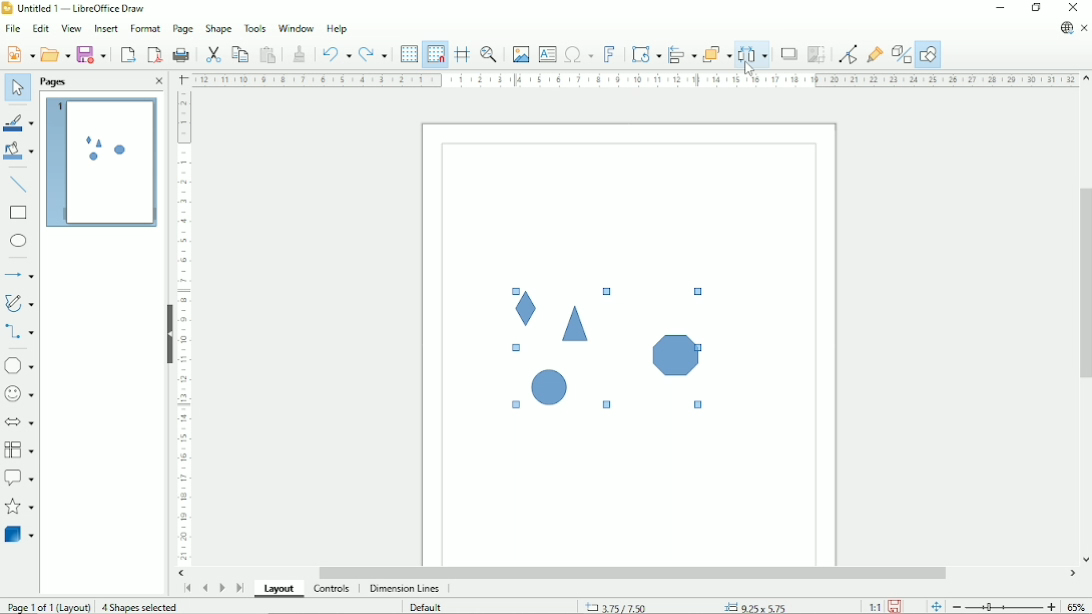 This screenshot has height=614, width=1092. What do you see at coordinates (462, 53) in the screenshot?
I see `Helplines while moving` at bounding box center [462, 53].